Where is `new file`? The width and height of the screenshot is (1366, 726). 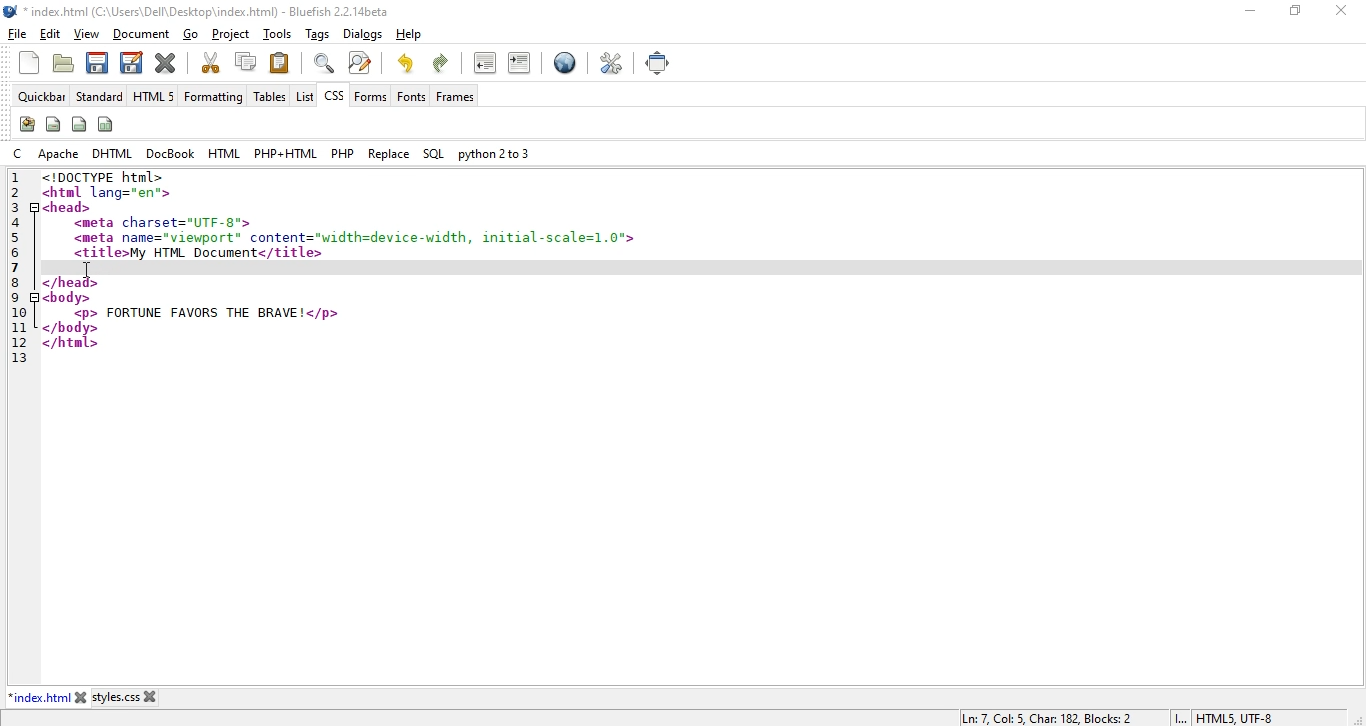 new file is located at coordinates (31, 63).